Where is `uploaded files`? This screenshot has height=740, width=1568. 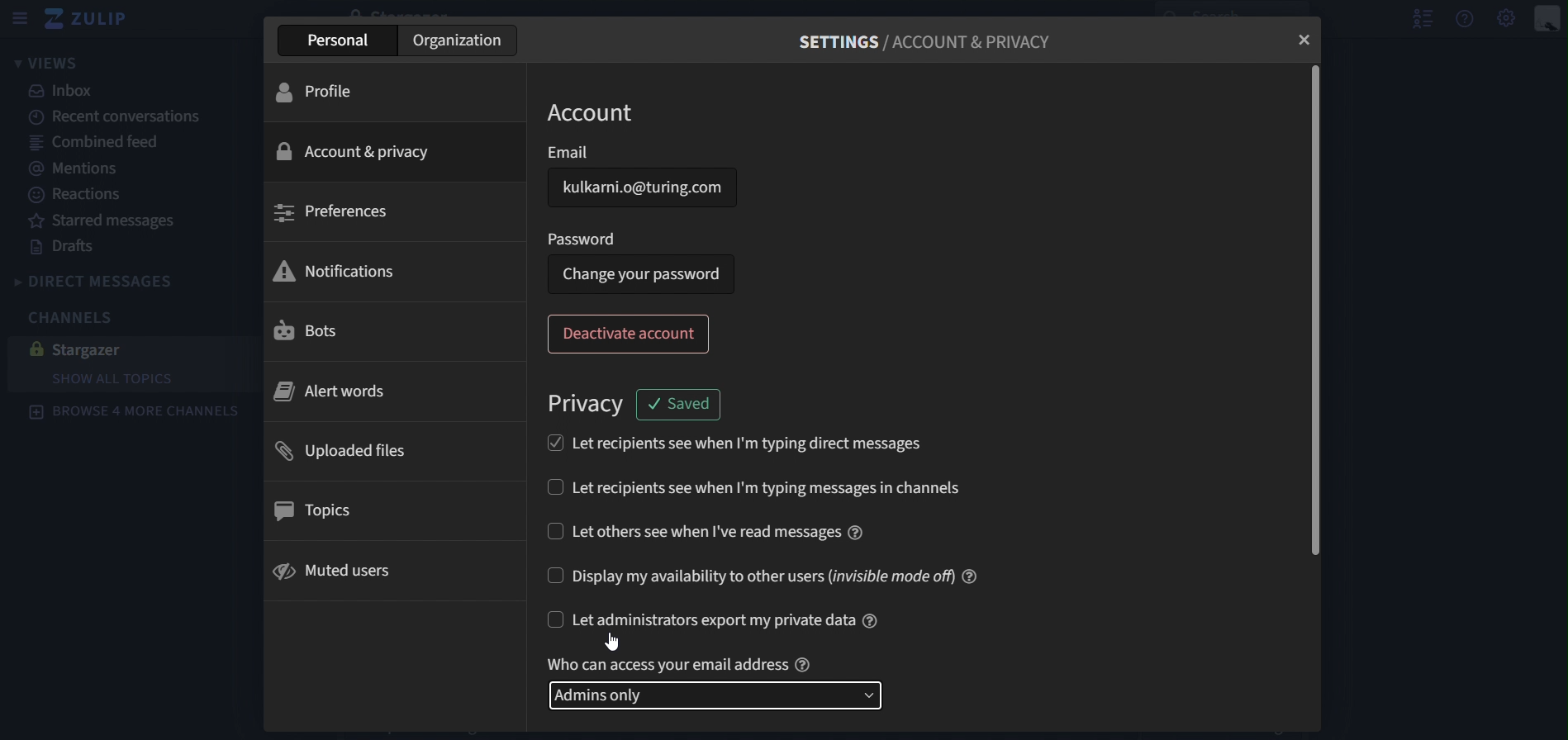 uploaded files is located at coordinates (359, 448).